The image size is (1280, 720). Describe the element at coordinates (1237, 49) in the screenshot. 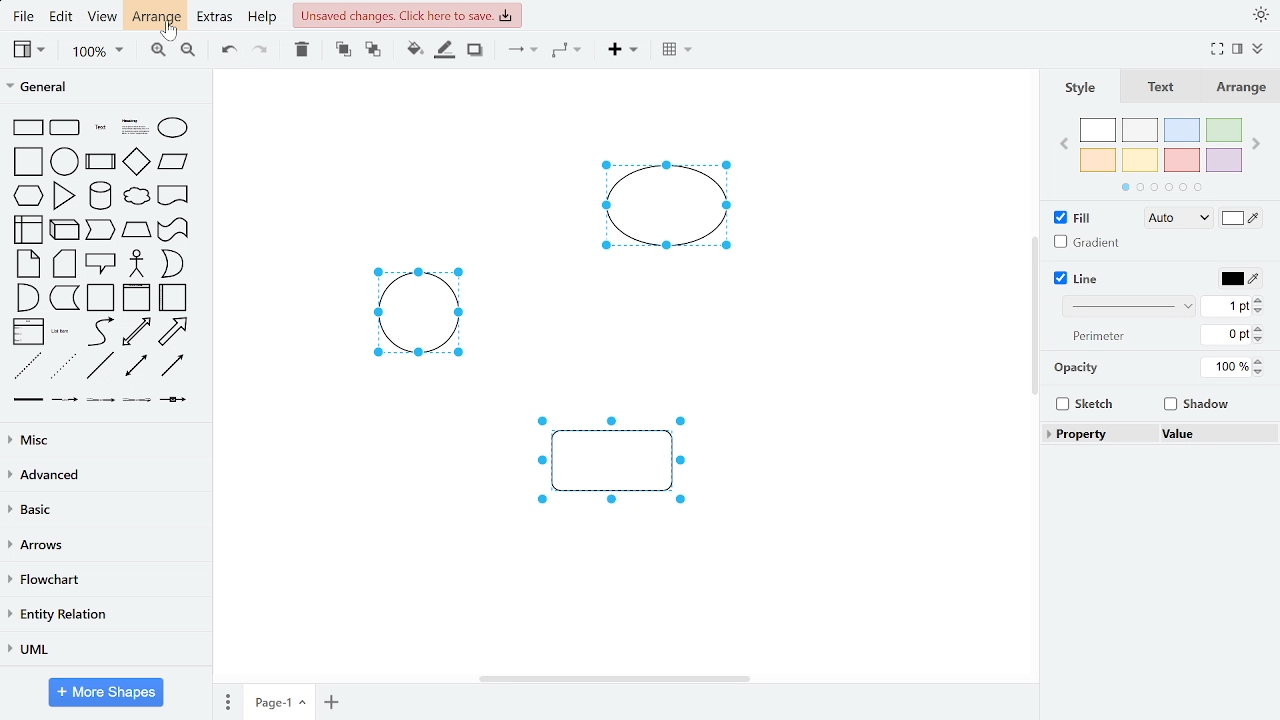

I see `format` at that location.